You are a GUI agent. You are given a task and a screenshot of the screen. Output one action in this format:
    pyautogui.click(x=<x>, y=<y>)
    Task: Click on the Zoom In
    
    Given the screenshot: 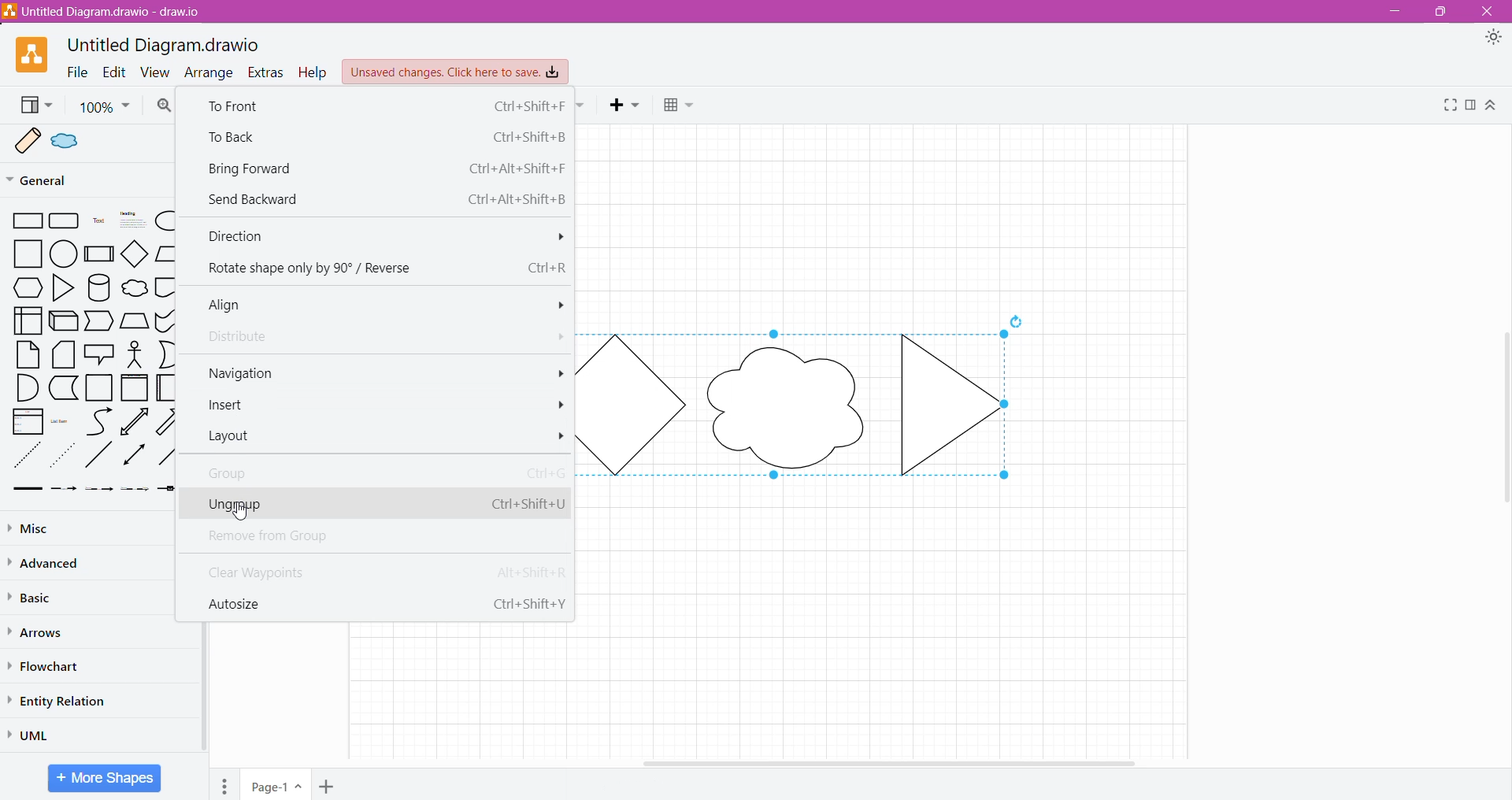 What is the action you would take?
    pyautogui.click(x=165, y=106)
    